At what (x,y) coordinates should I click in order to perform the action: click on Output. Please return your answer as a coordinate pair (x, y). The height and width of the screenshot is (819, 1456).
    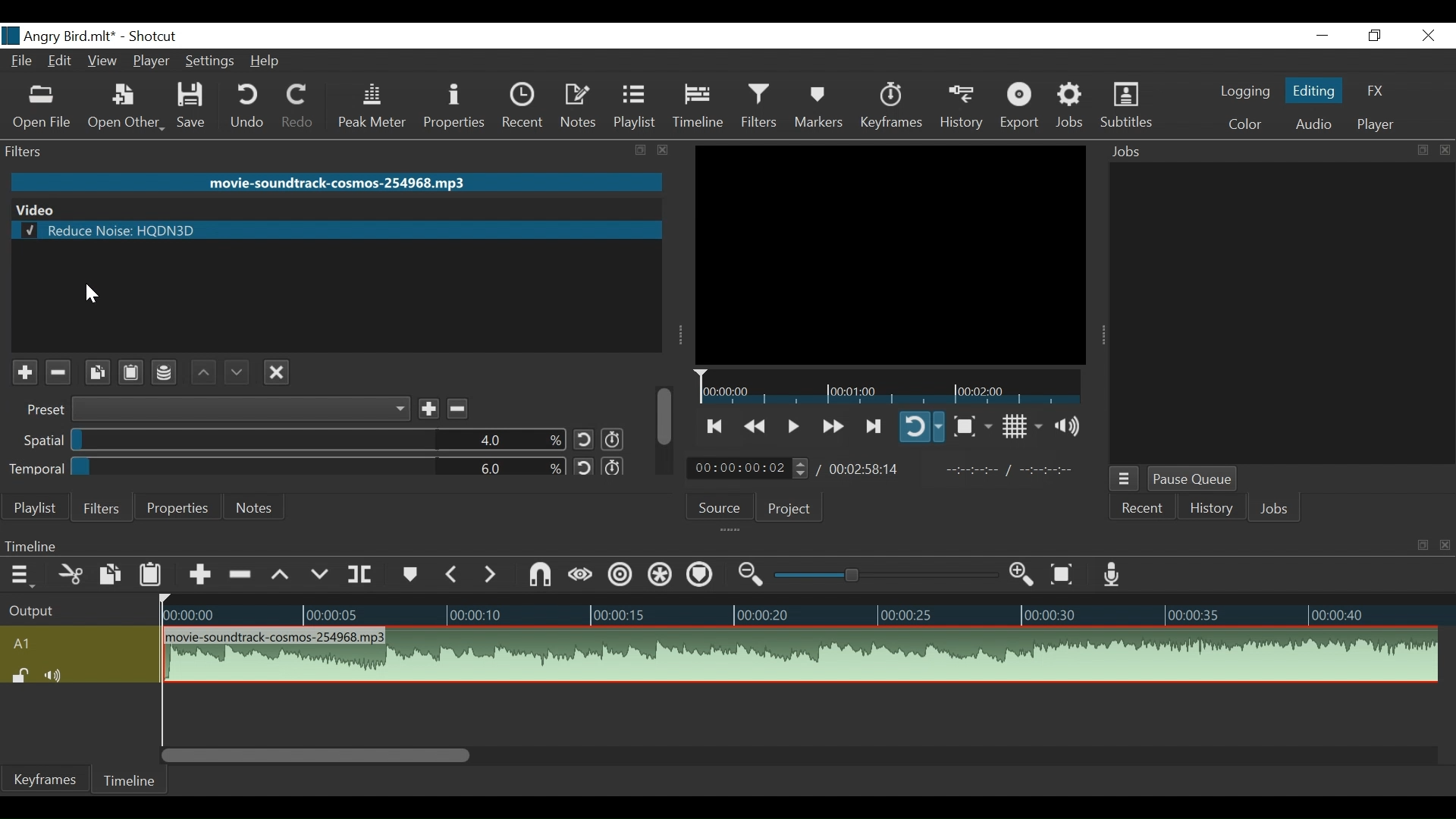
    Looking at the image, I should click on (74, 607).